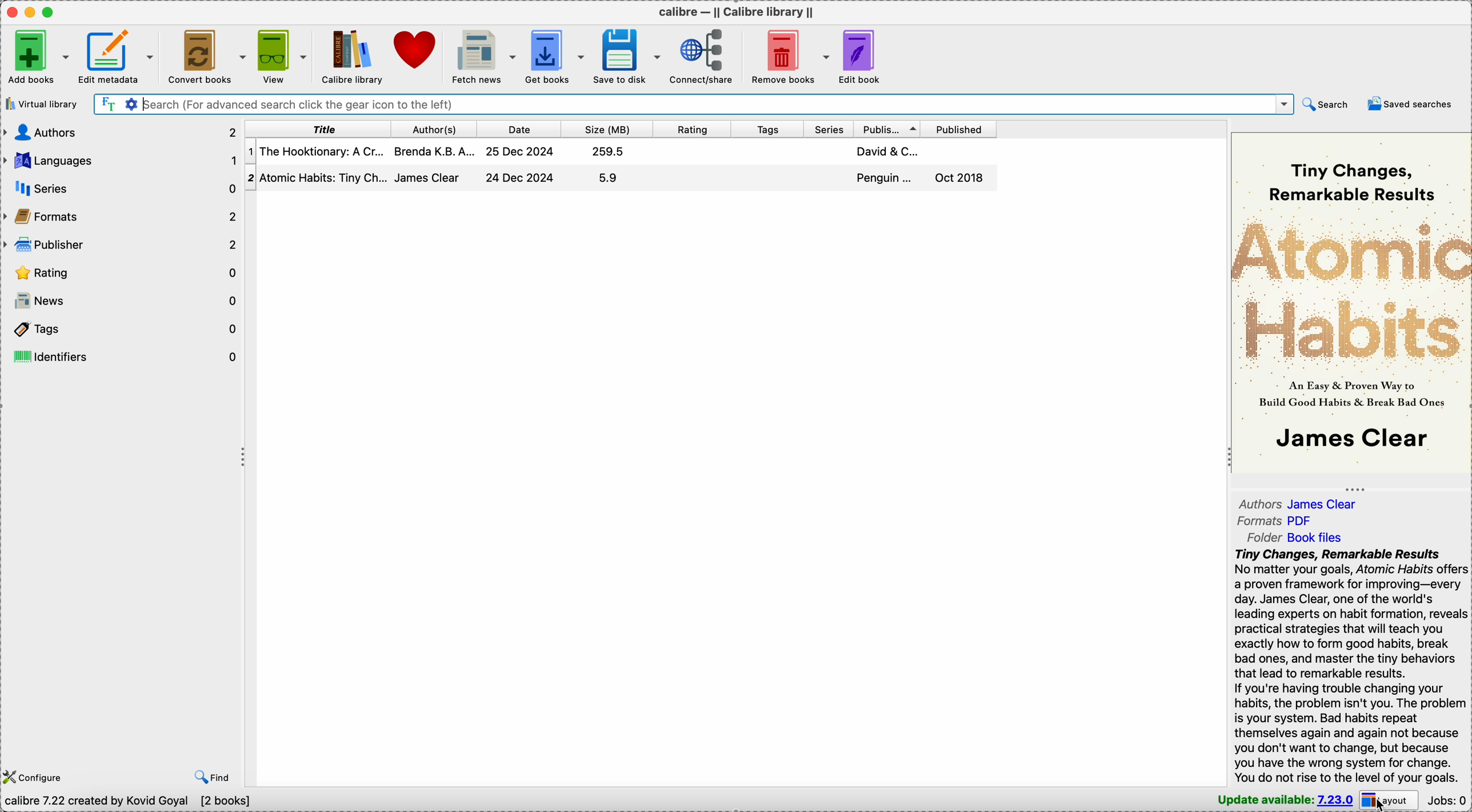  What do you see at coordinates (1351, 291) in the screenshot?
I see `atomic habits` at bounding box center [1351, 291].